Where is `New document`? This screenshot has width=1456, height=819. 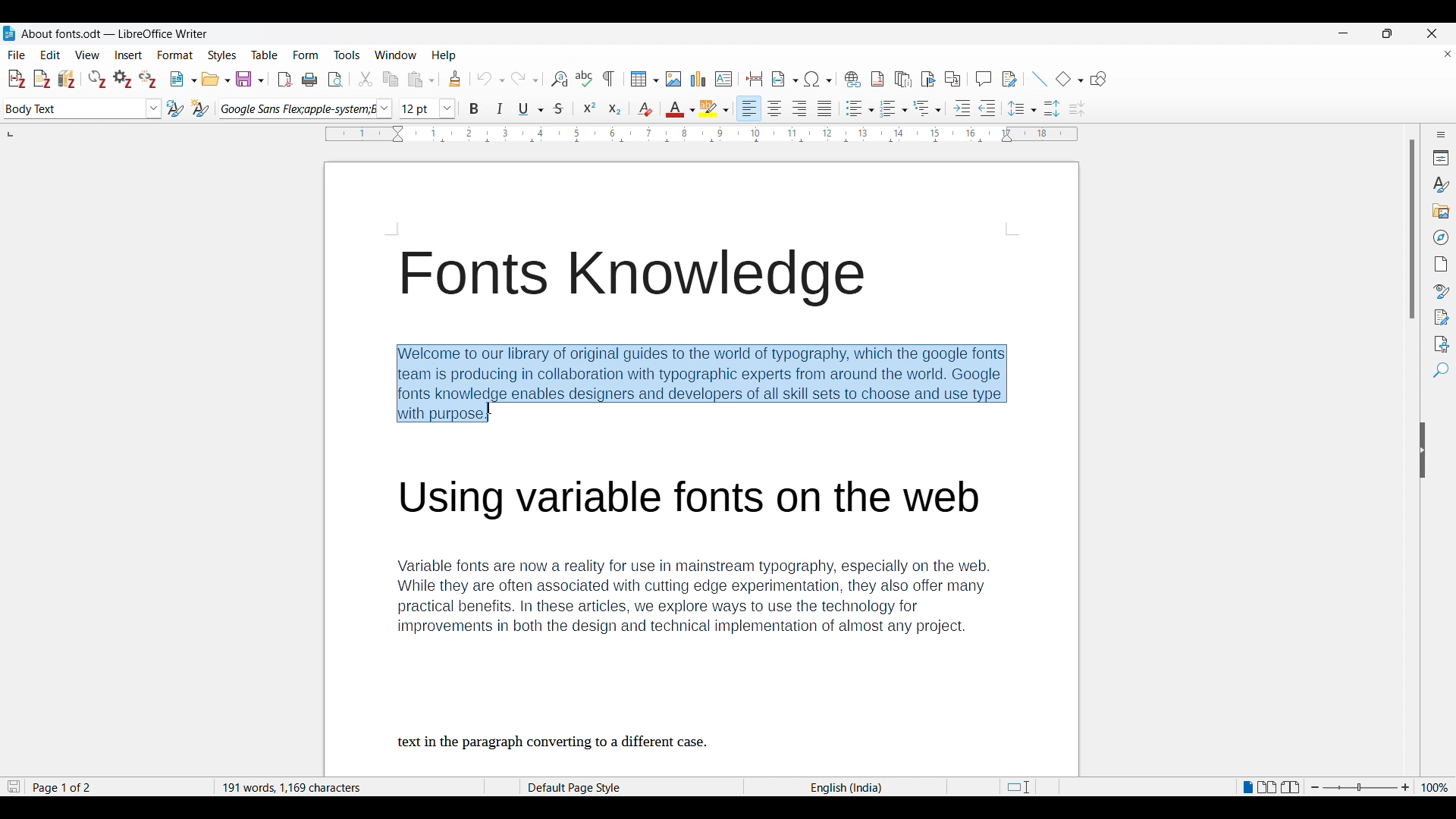
New document is located at coordinates (184, 79).